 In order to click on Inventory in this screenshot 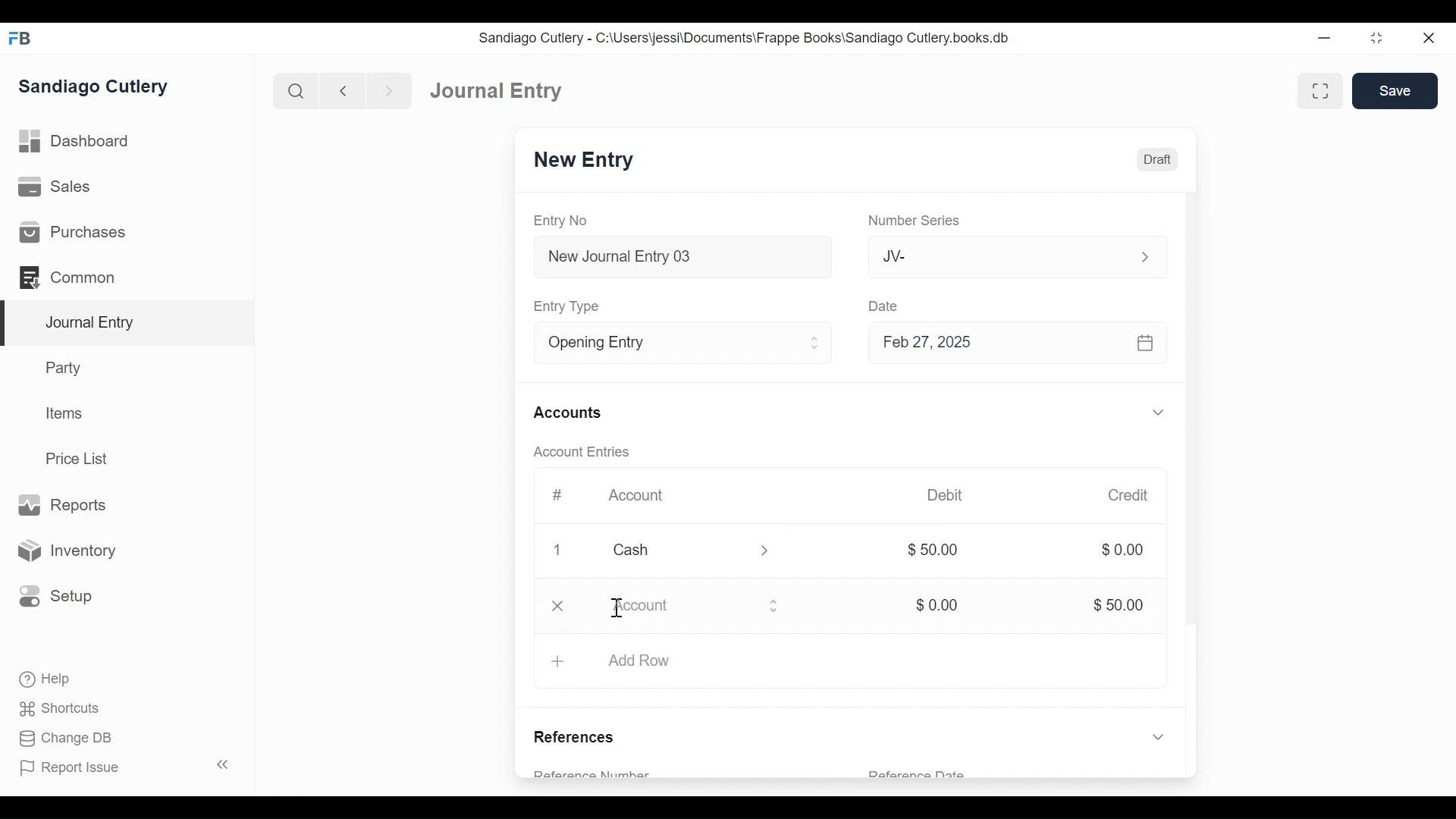, I will do `click(65, 550)`.